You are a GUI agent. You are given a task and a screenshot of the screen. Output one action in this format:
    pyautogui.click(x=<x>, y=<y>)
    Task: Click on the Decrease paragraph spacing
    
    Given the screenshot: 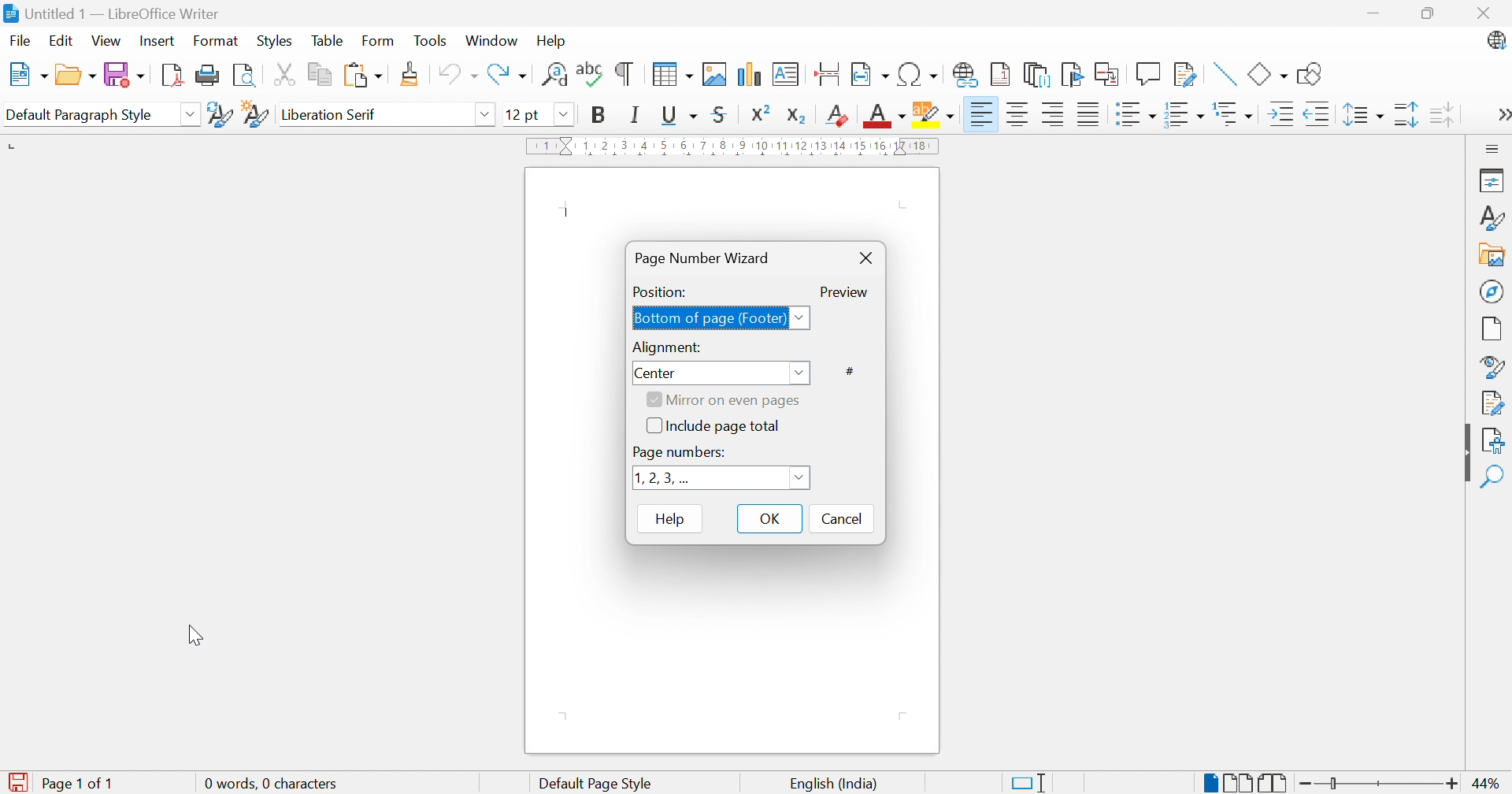 What is the action you would take?
    pyautogui.click(x=1441, y=113)
    